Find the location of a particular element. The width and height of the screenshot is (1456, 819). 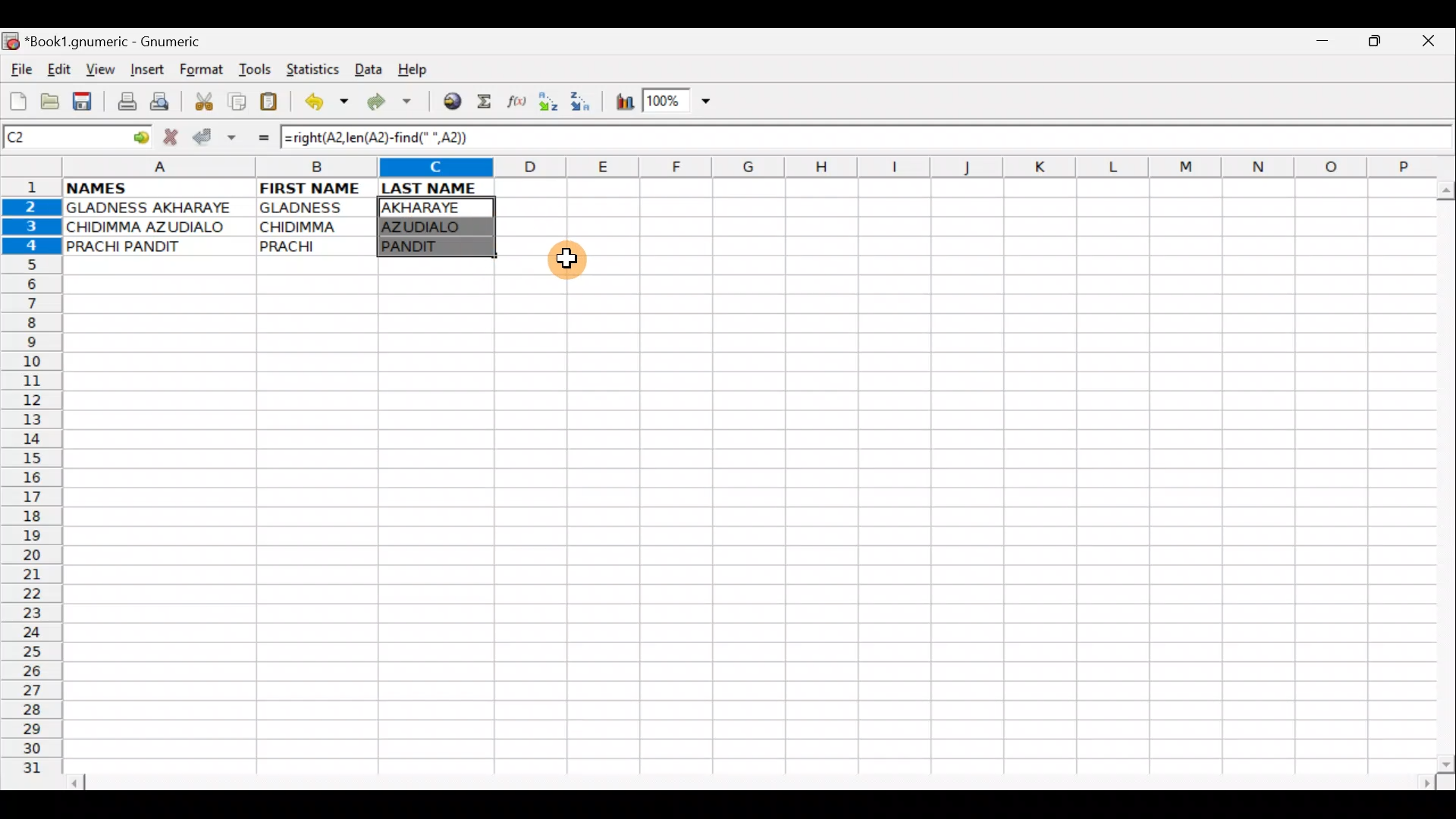

PANDIT is located at coordinates (432, 247).